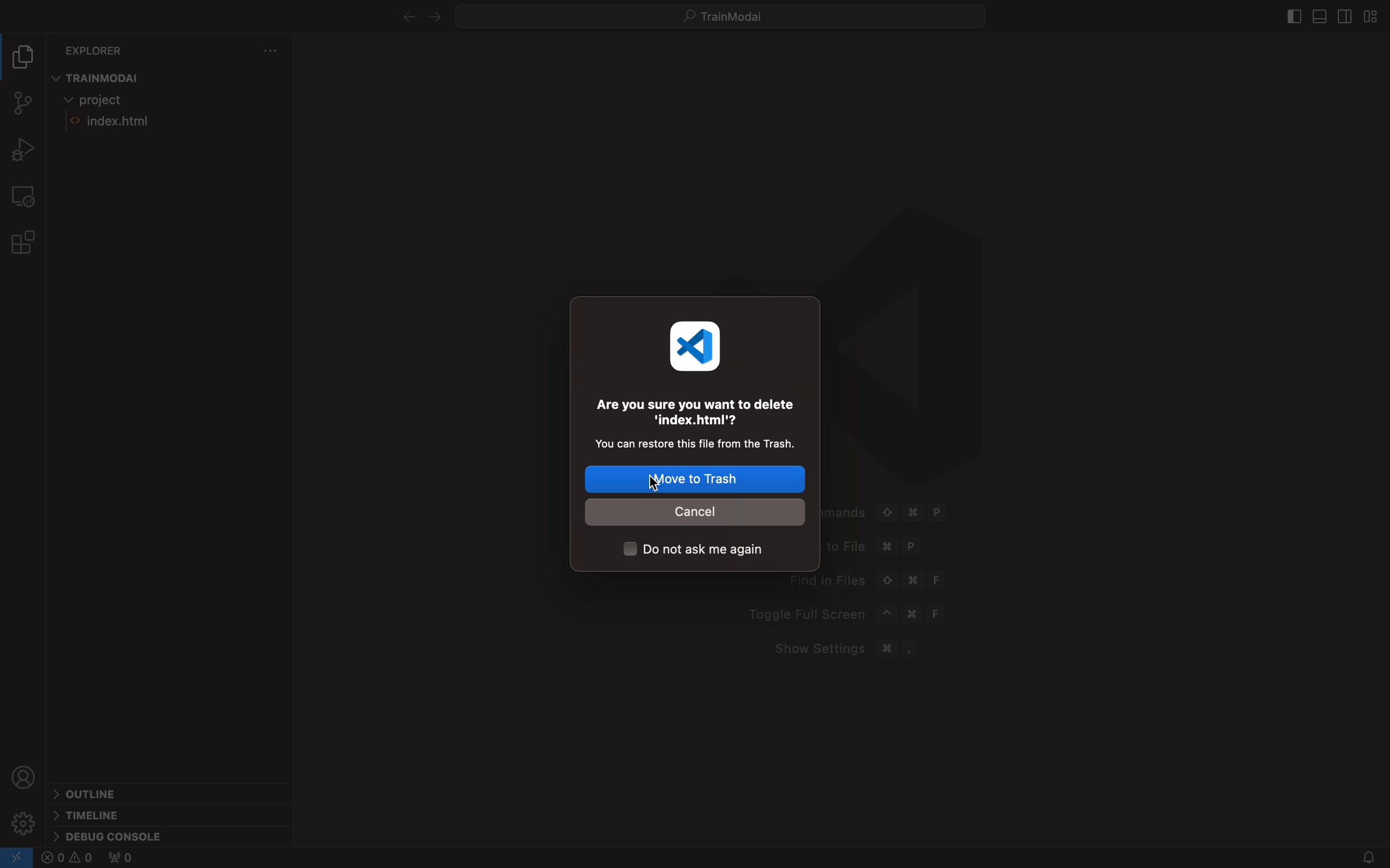 Image resolution: width=1390 pixels, height=868 pixels. What do you see at coordinates (855, 649) in the screenshot?
I see `Show settings` at bounding box center [855, 649].